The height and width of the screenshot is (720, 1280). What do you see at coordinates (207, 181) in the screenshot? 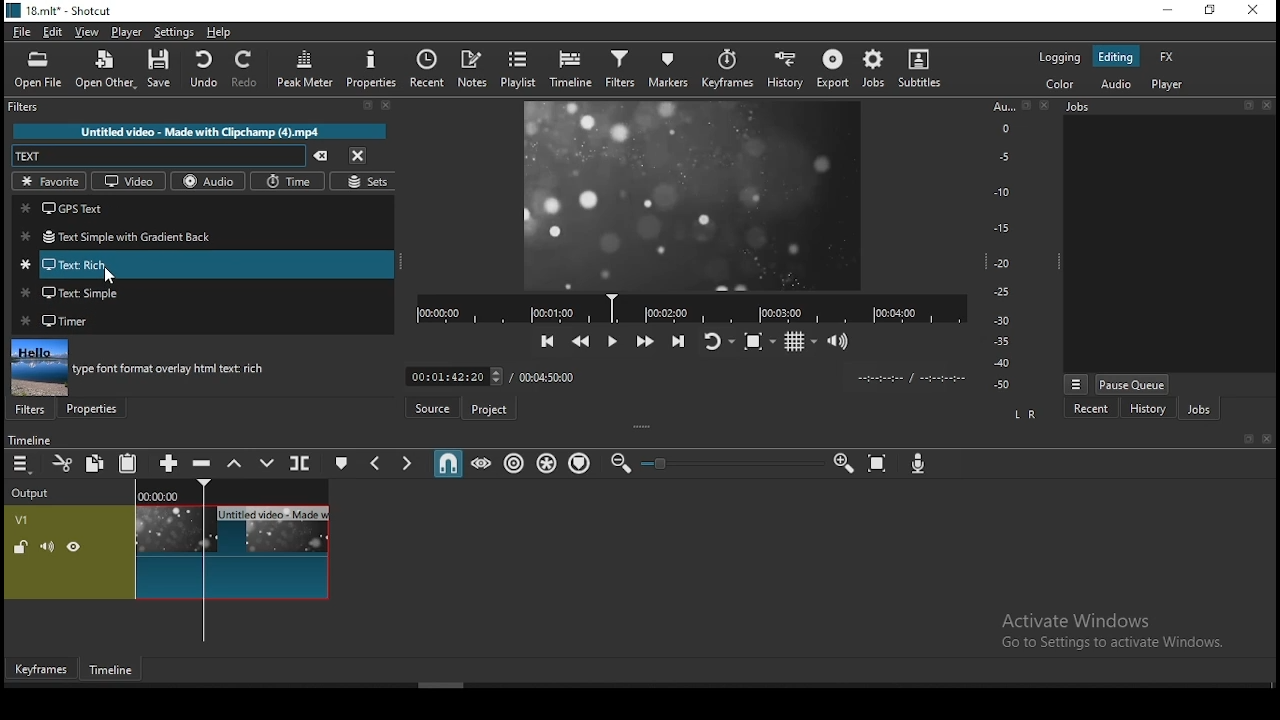
I see `audio` at bounding box center [207, 181].